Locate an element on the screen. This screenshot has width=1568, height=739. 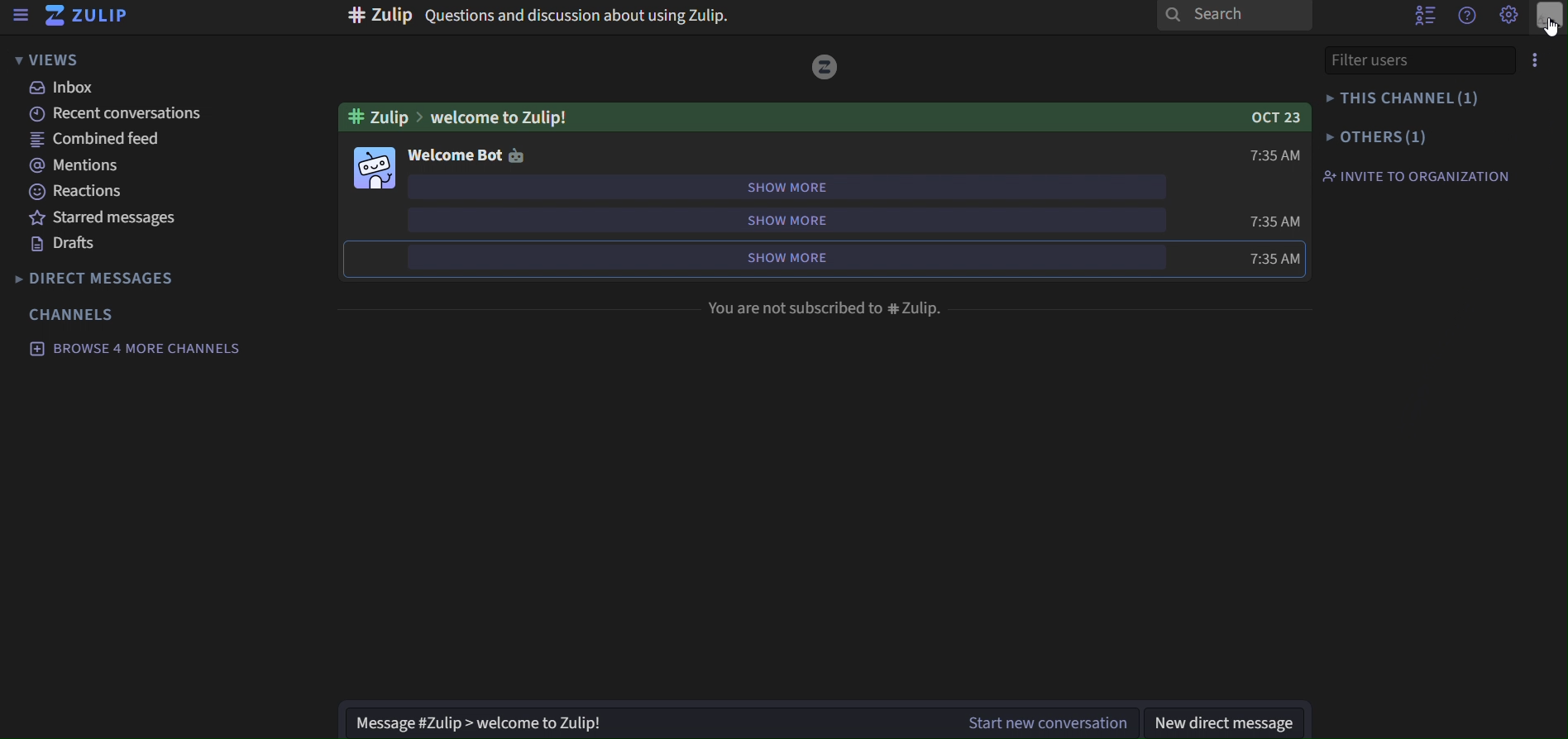
Start new conversation is located at coordinates (1047, 721).